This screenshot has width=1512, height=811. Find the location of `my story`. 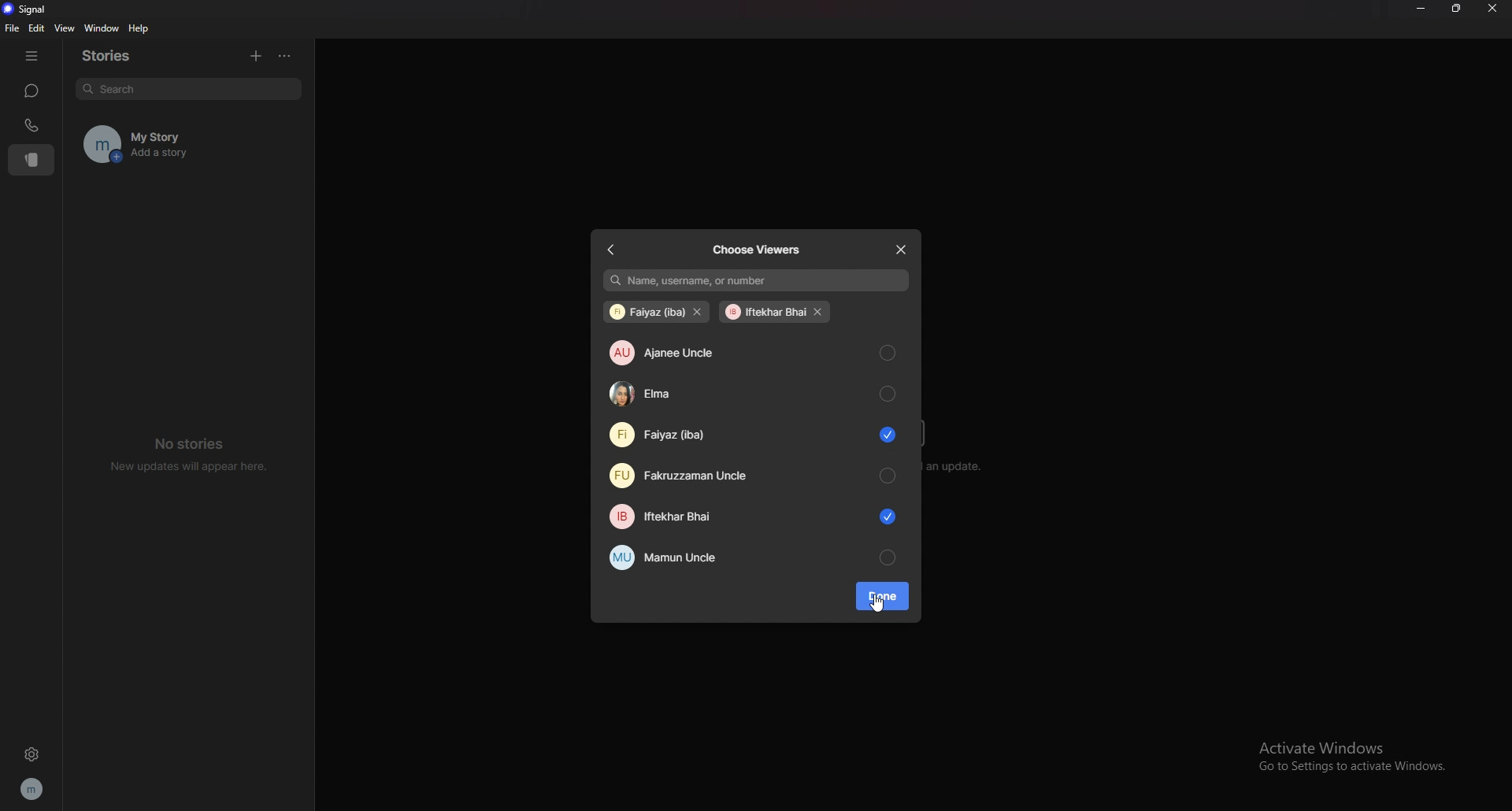

my story is located at coordinates (188, 145).